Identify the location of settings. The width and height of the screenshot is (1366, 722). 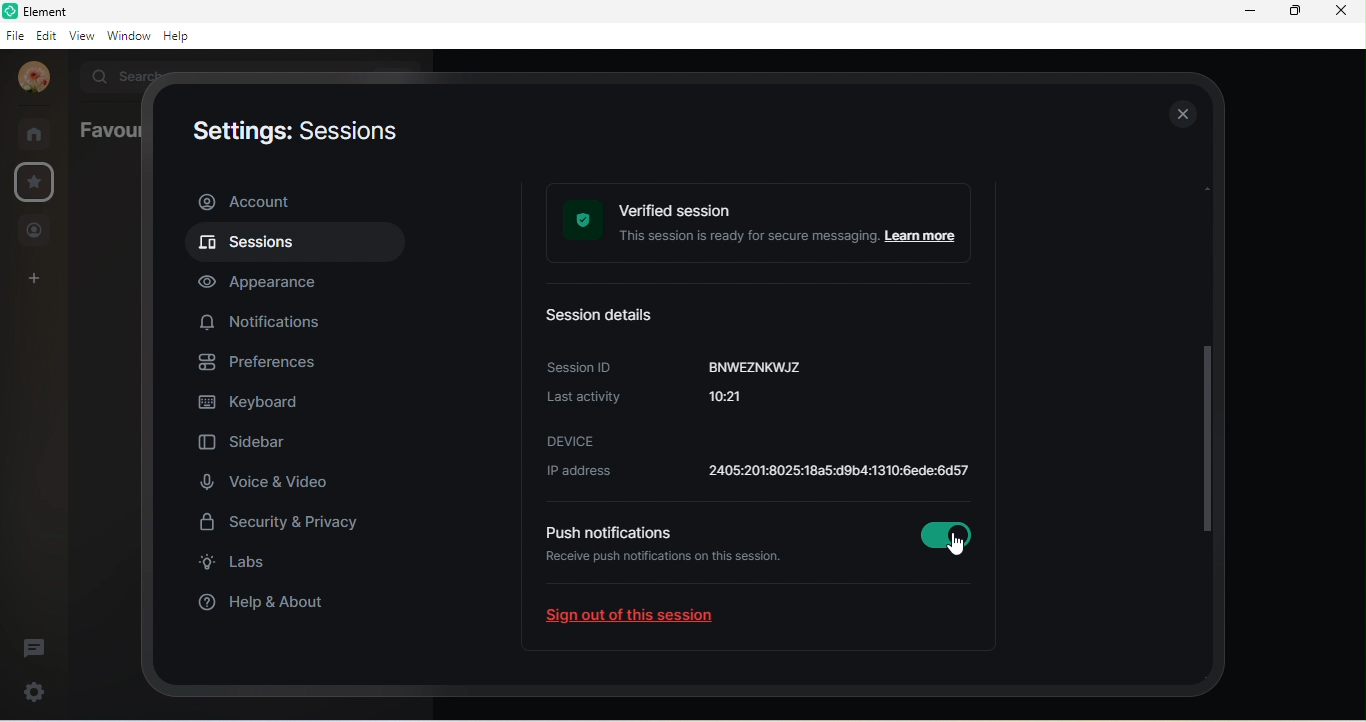
(31, 691).